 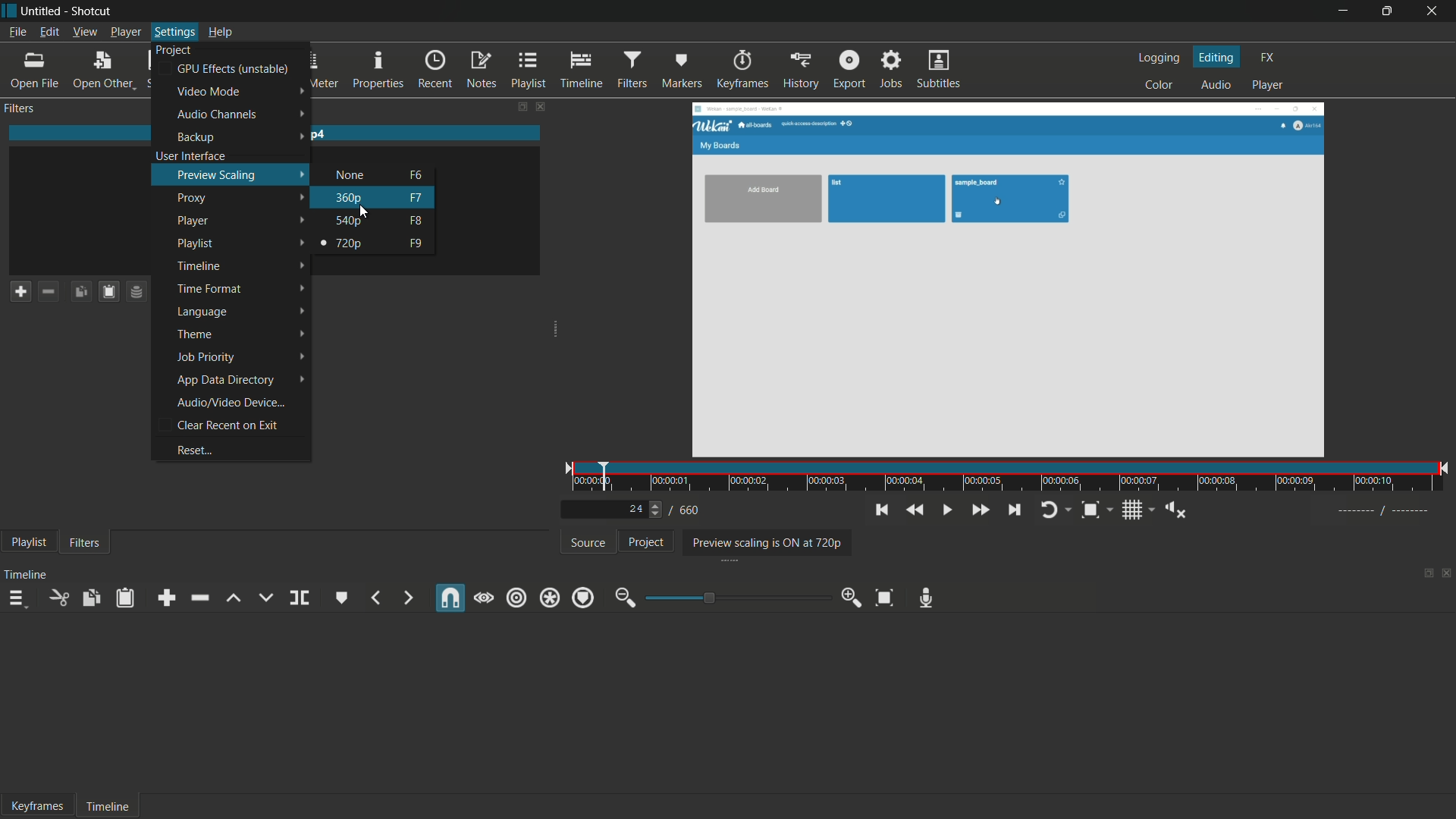 What do you see at coordinates (926, 599) in the screenshot?
I see `record audio` at bounding box center [926, 599].